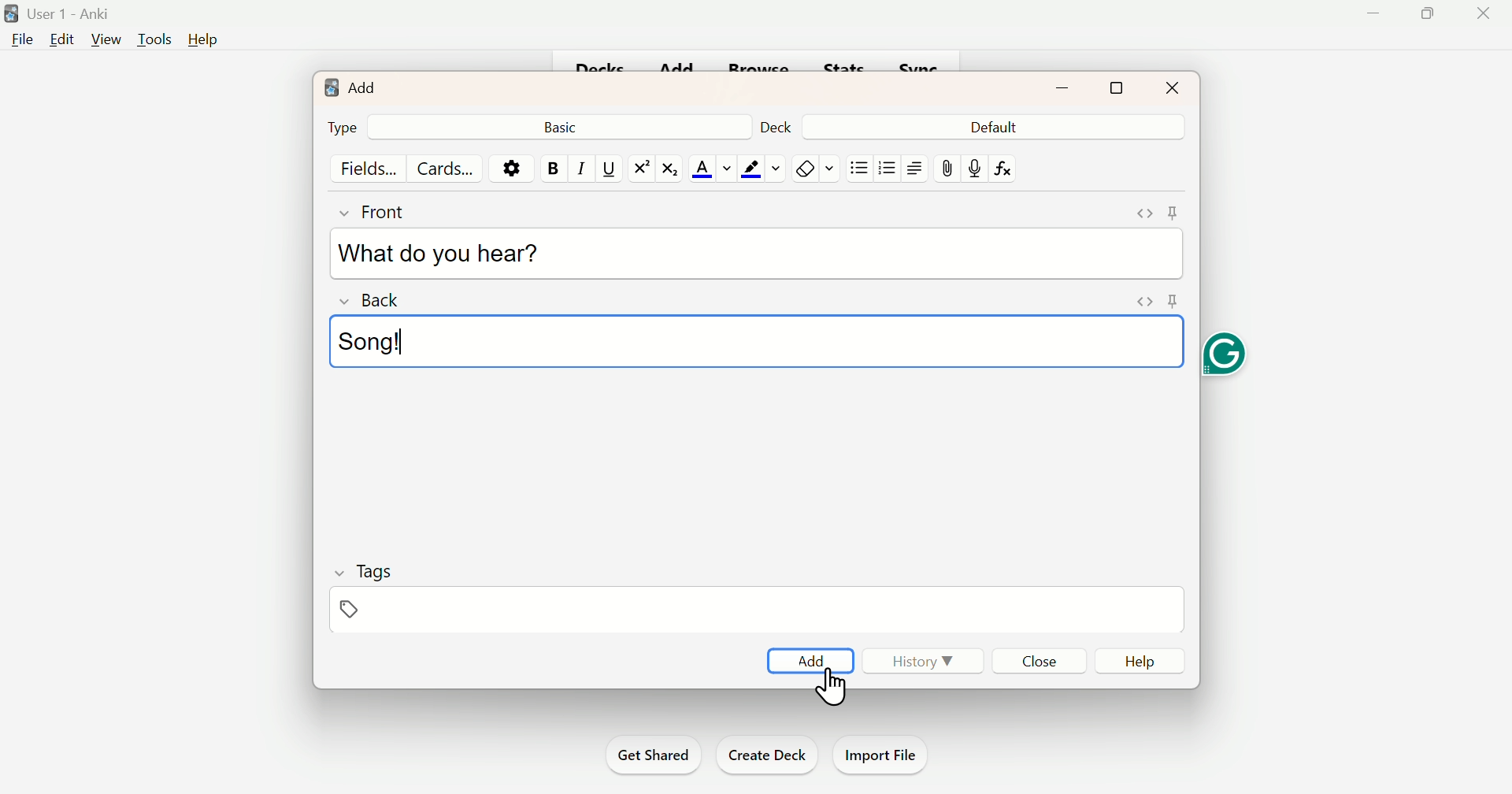 The width and height of the screenshot is (1512, 794). What do you see at coordinates (651, 752) in the screenshot?
I see `Get Shared` at bounding box center [651, 752].